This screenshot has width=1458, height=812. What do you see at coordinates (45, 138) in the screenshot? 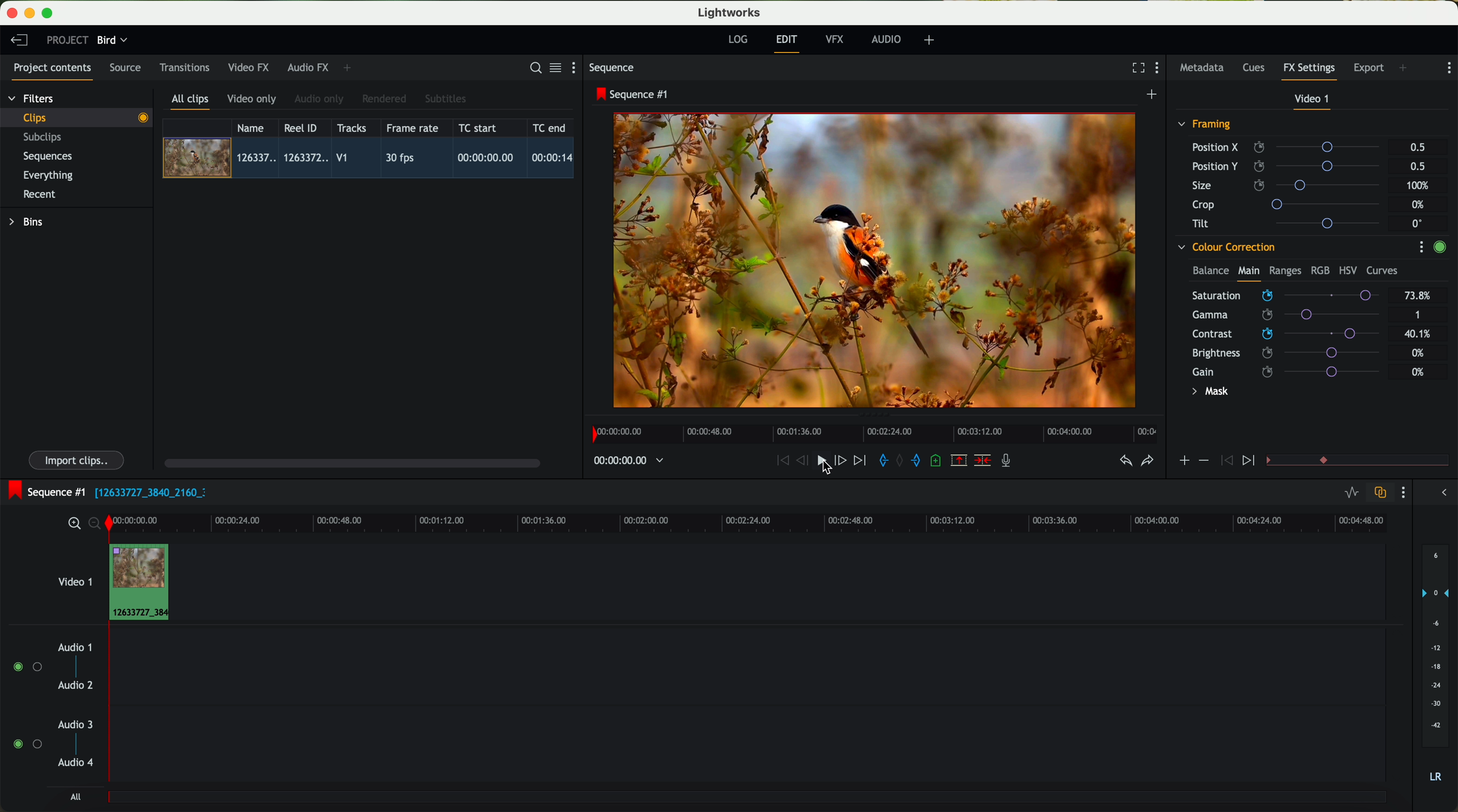
I see `subclips` at bounding box center [45, 138].